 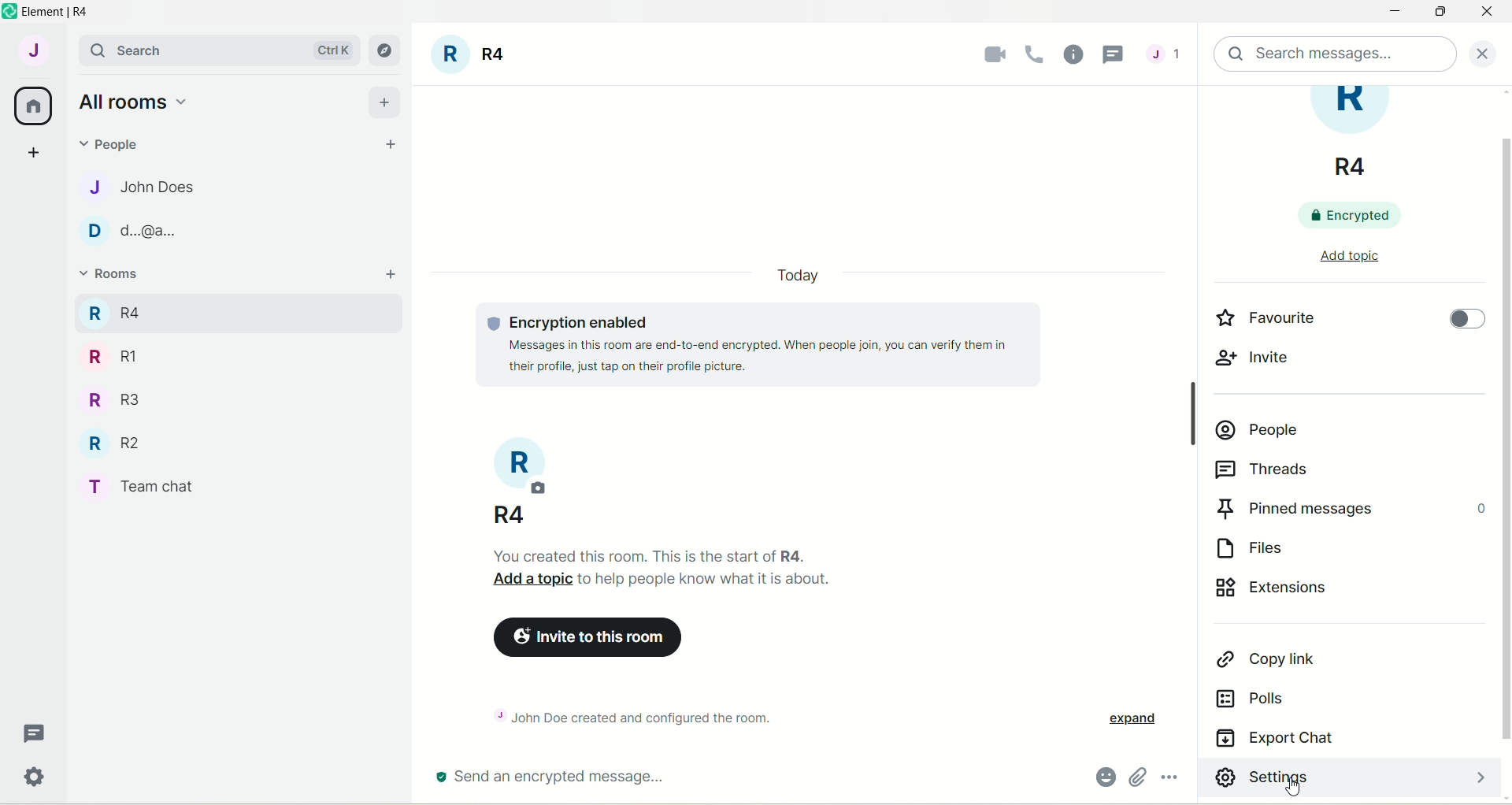 I want to click on export chat, so click(x=1275, y=741).